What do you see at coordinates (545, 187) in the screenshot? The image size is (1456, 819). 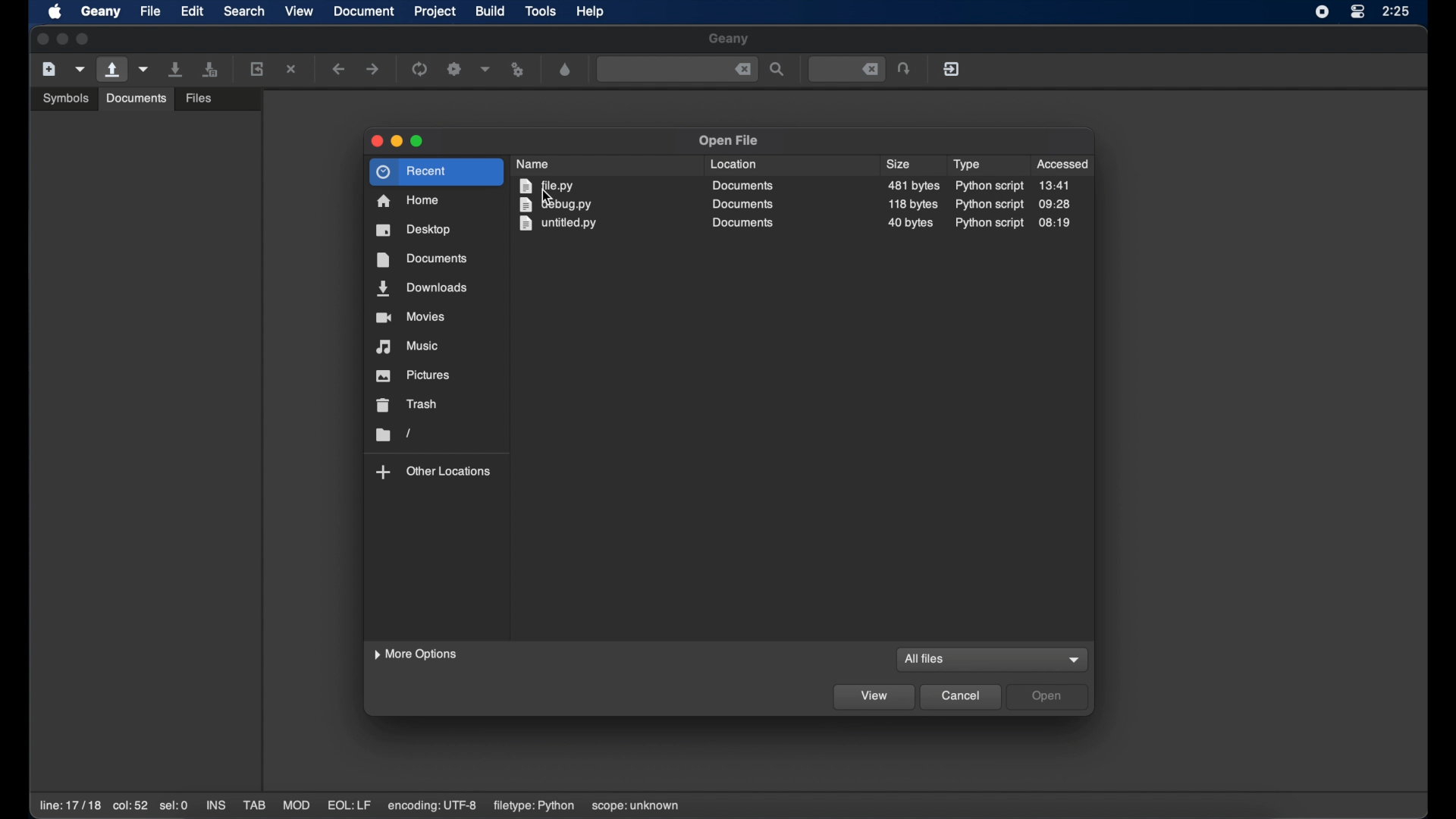 I see `file.py` at bounding box center [545, 187].